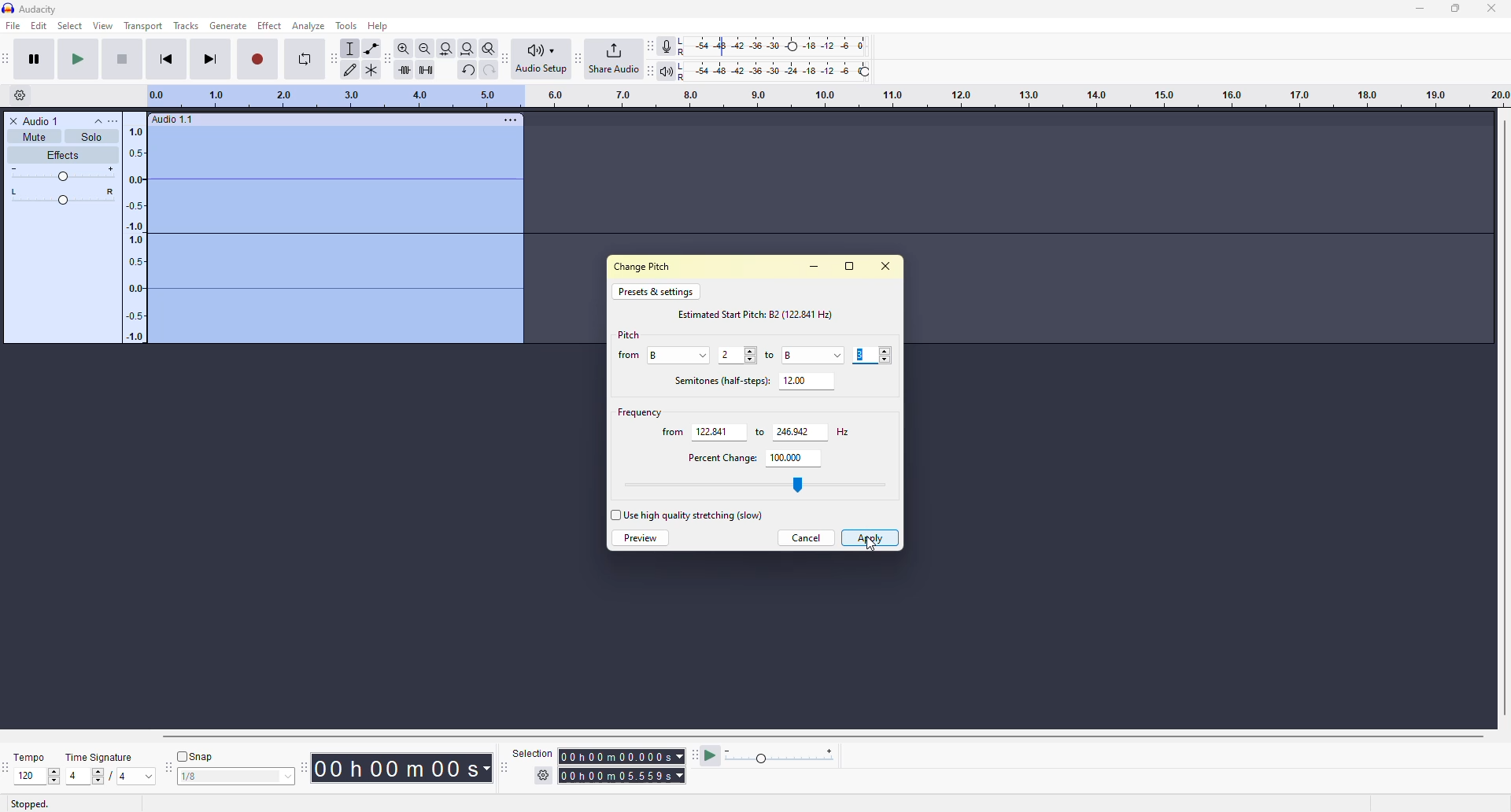  I want to click on record, so click(258, 58).